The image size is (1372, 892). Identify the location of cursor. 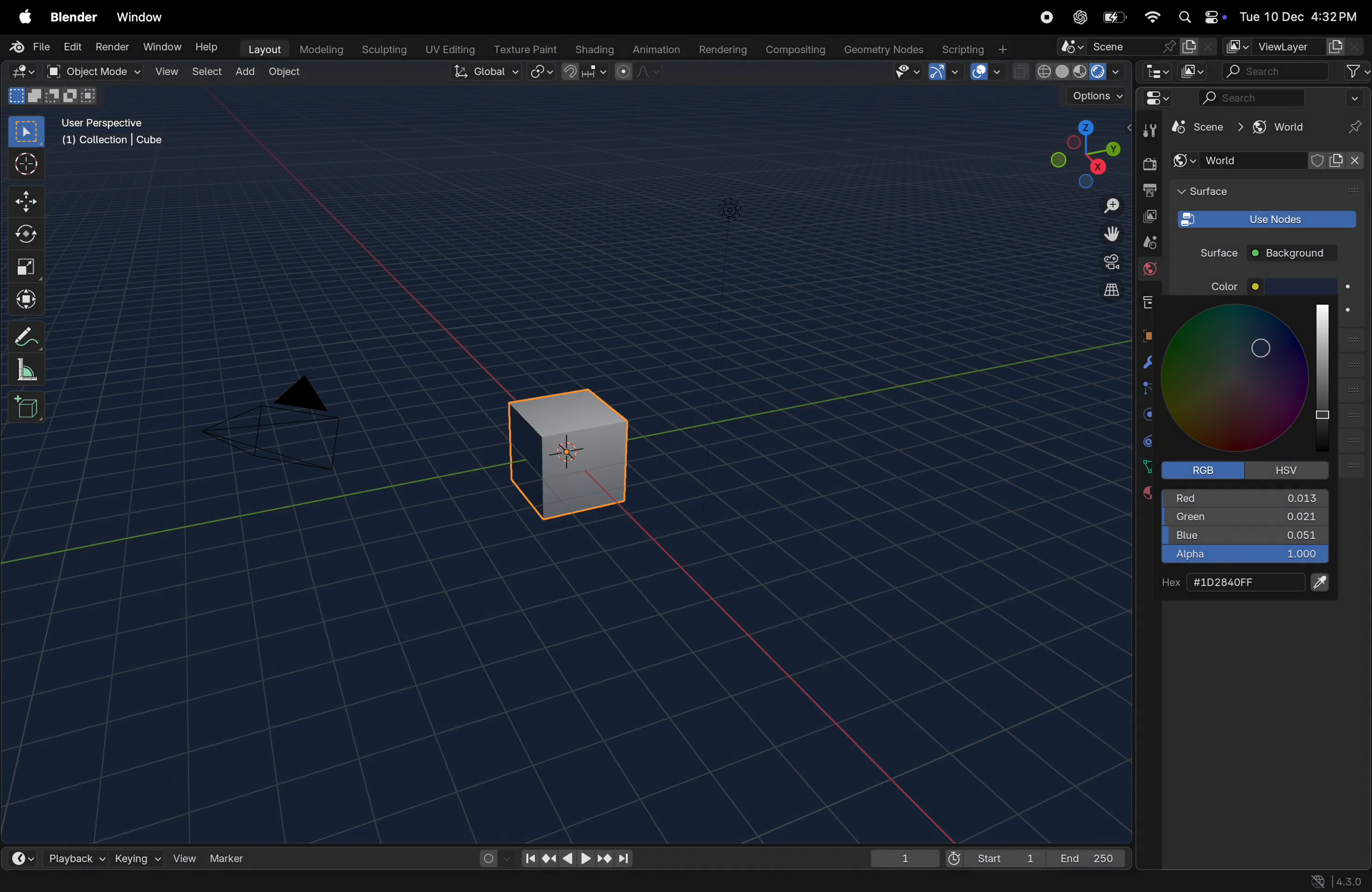
(1265, 349).